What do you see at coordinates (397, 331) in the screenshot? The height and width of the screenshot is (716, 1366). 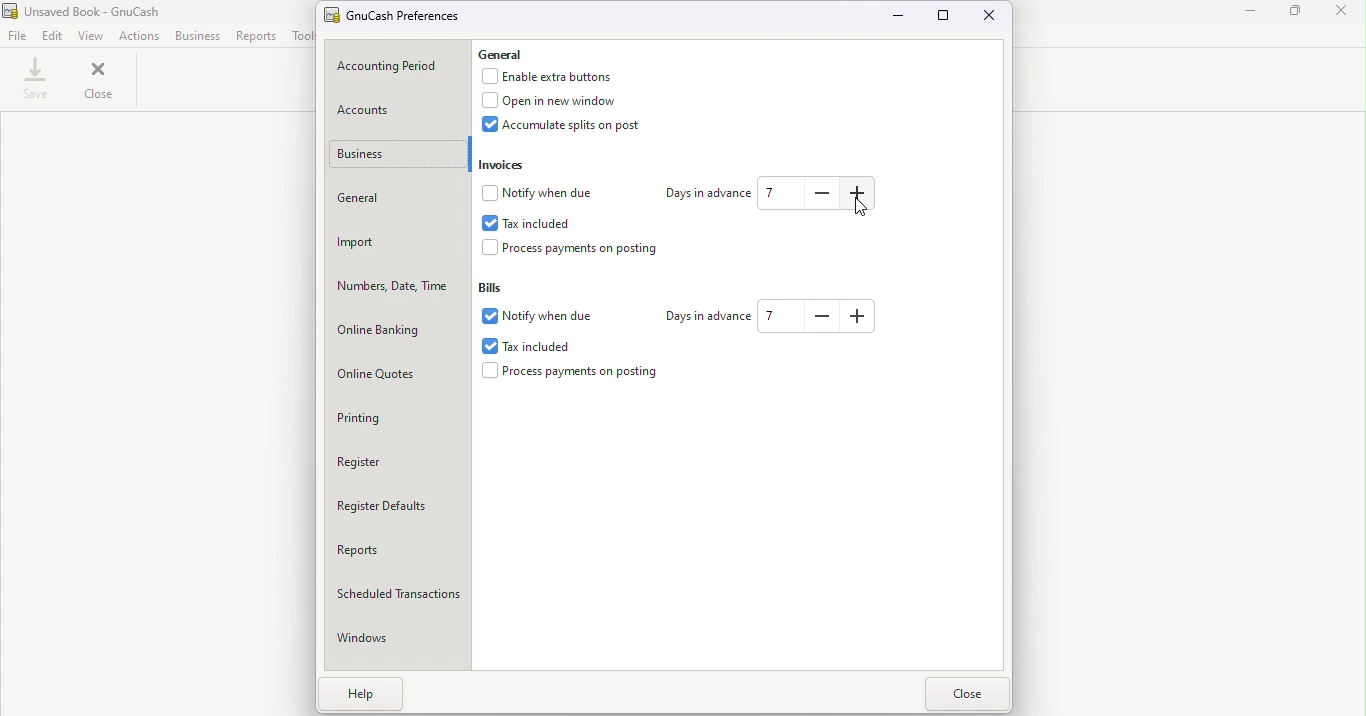 I see `Online banking` at bounding box center [397, 331].